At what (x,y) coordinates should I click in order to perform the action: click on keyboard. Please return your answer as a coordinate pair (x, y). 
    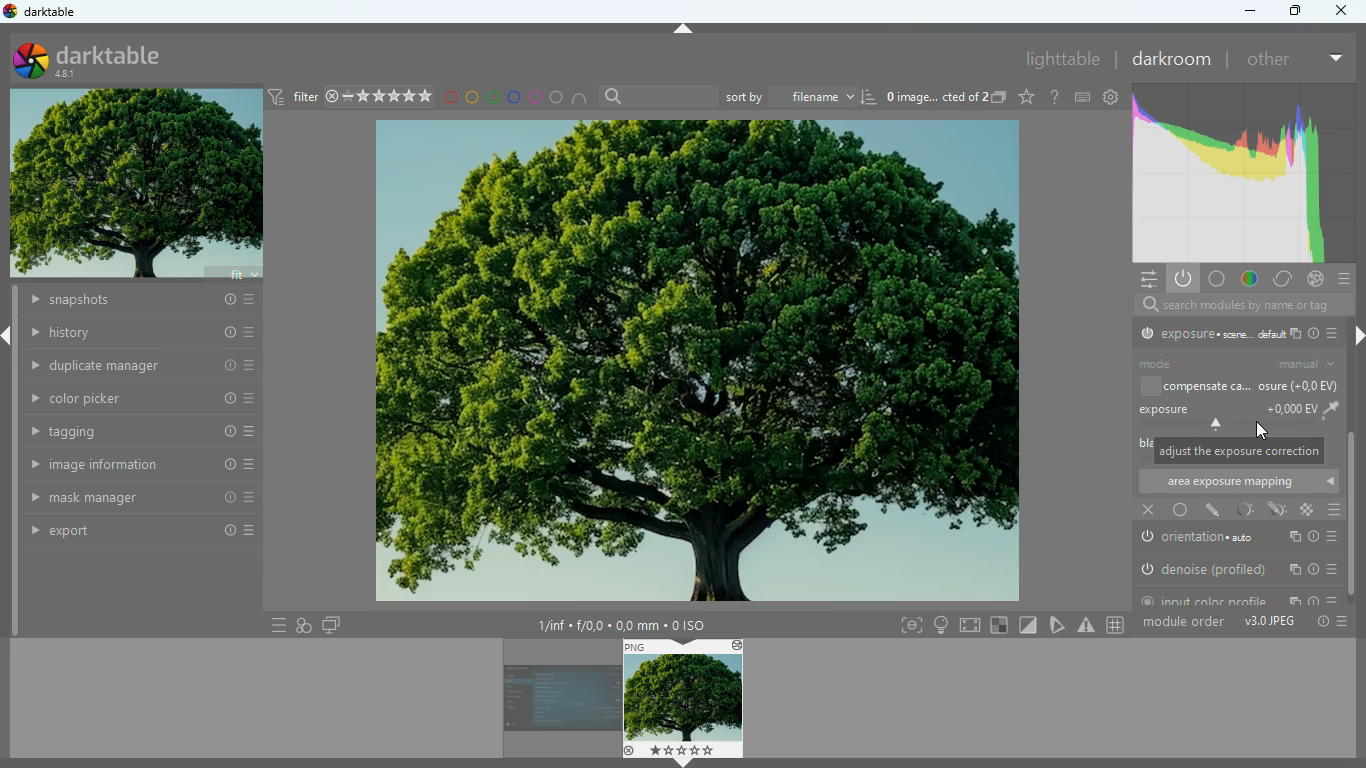
    Looking at the image, I should click on (1084, 97).